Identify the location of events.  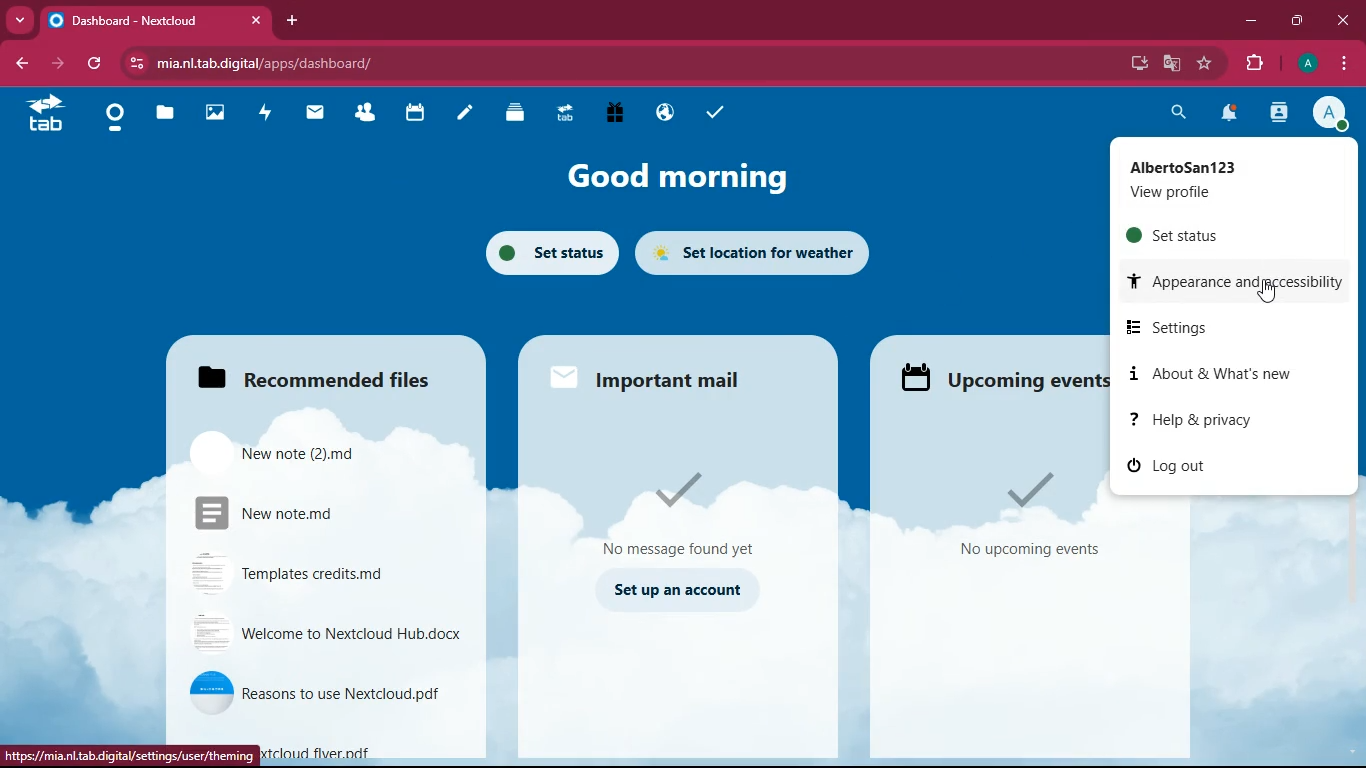
(996, 376).